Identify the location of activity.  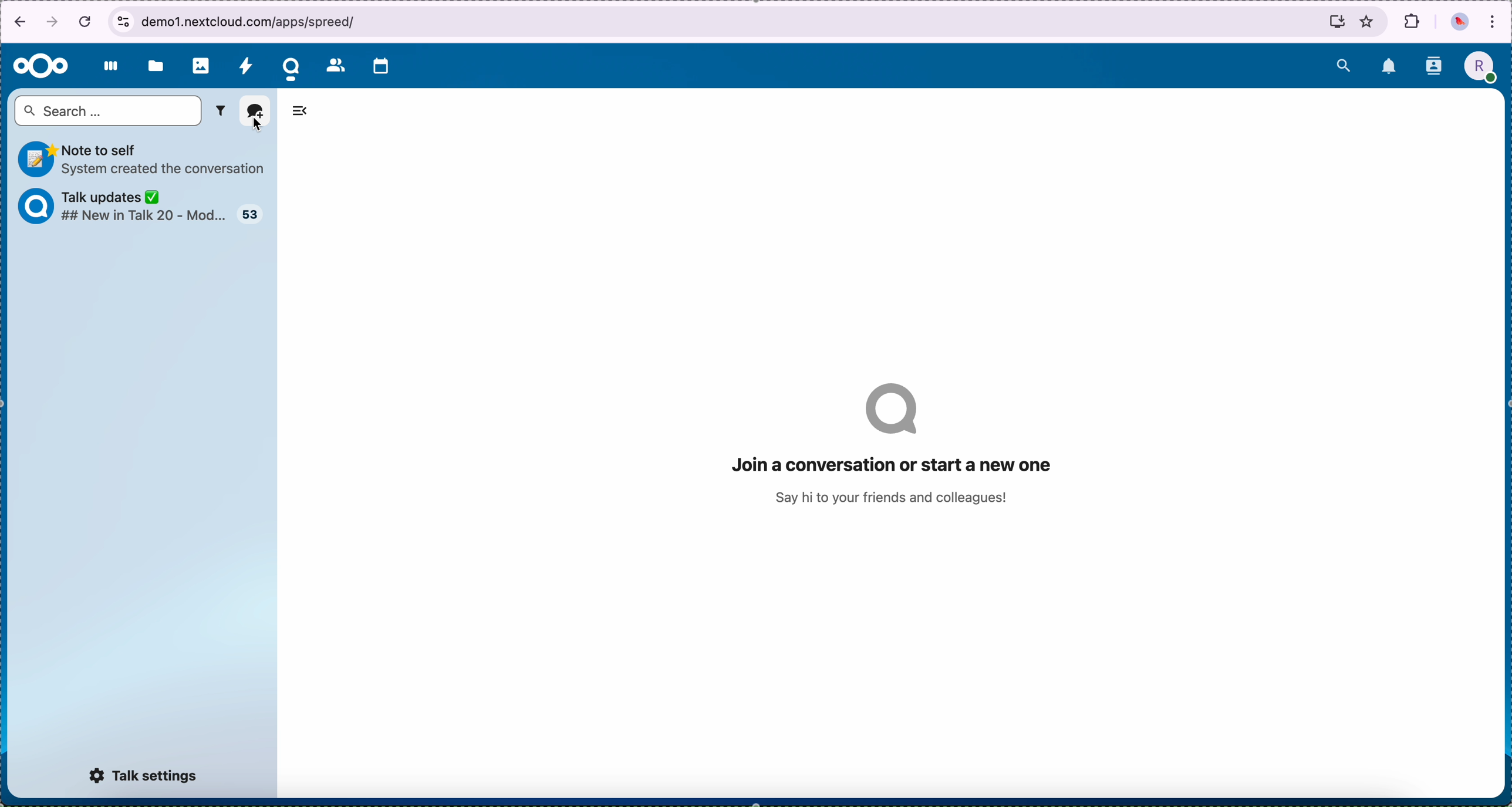
(247, 63).